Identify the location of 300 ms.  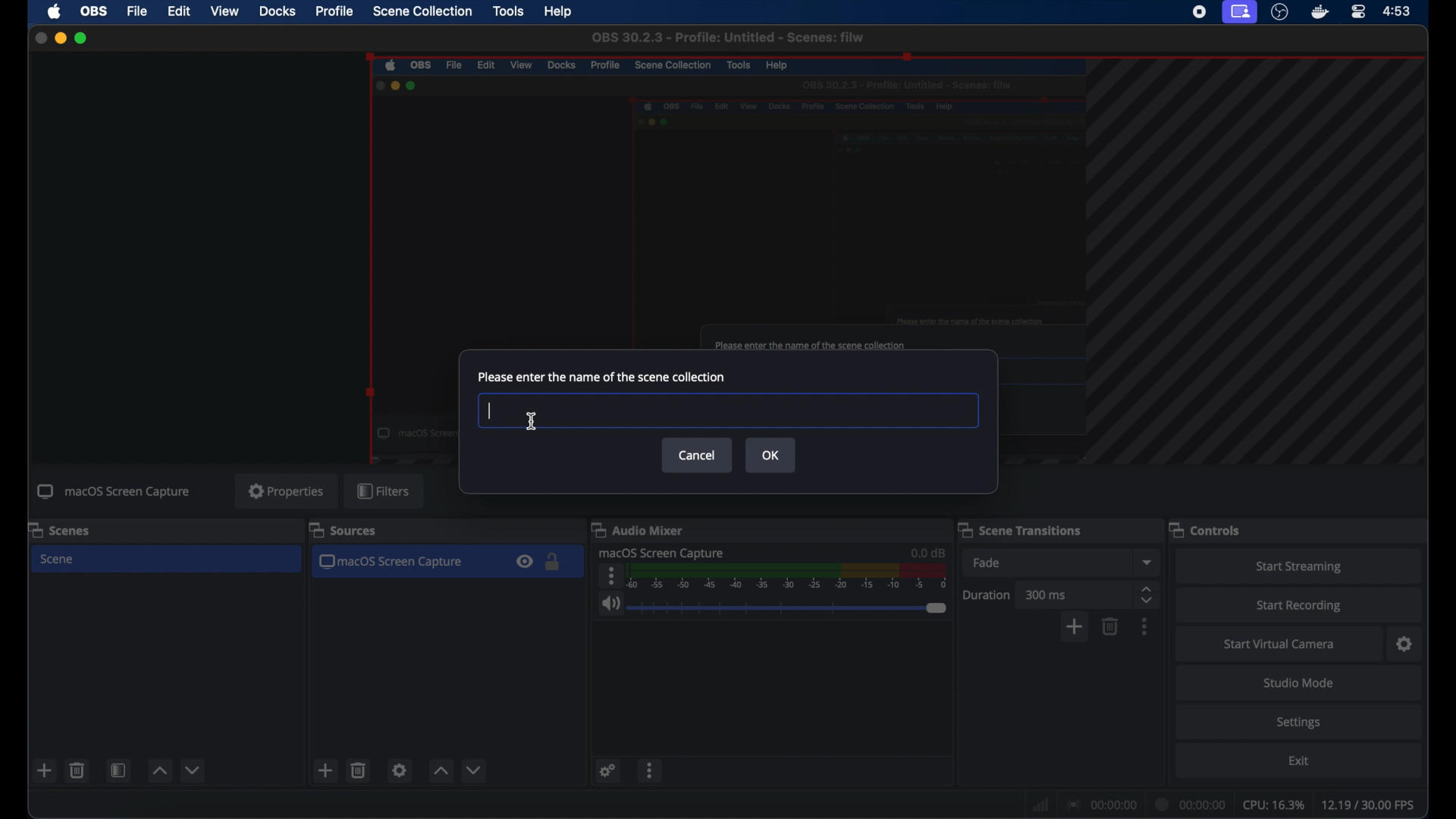
(1046, 594).